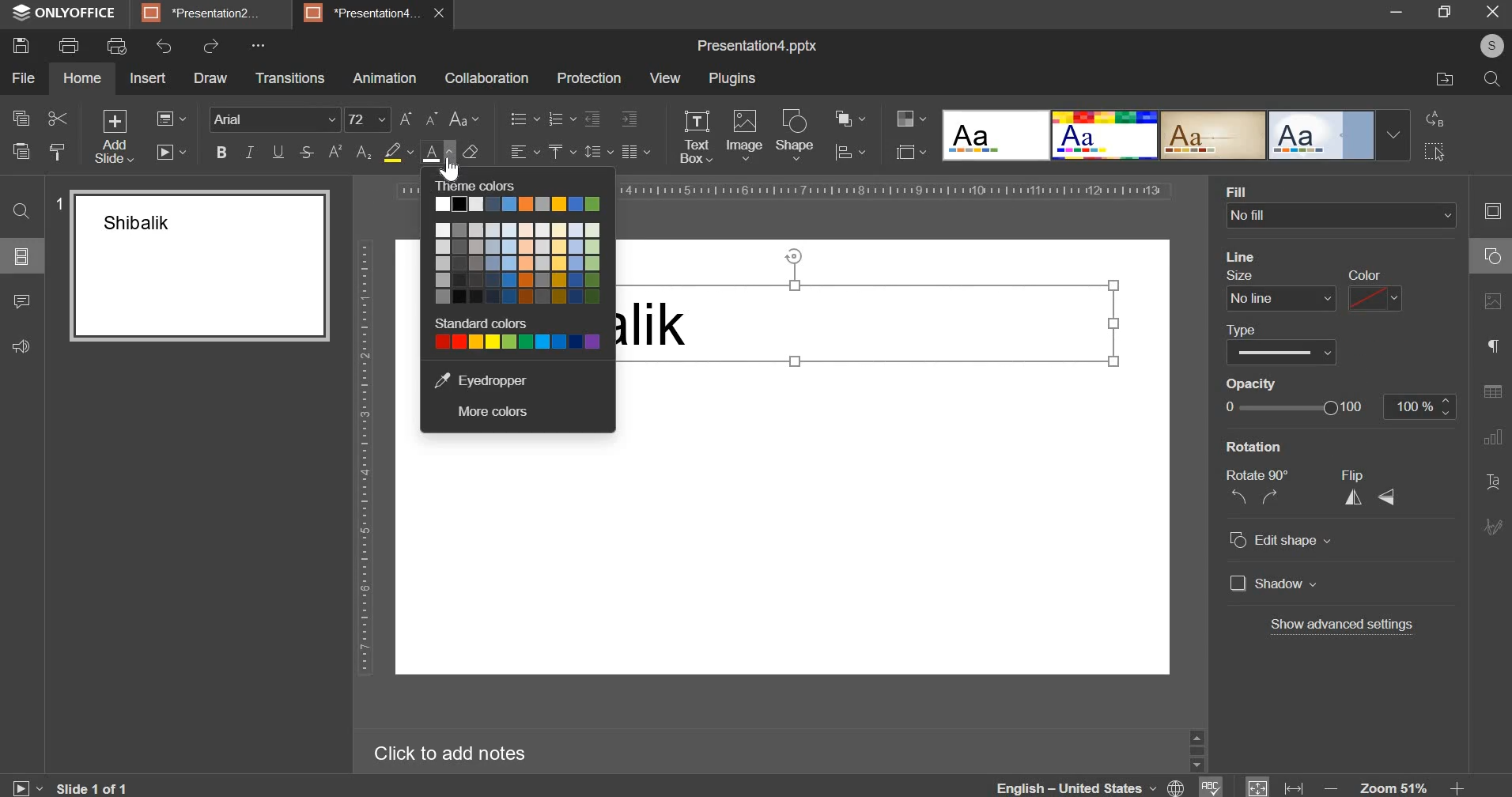 This screenshot has width=1512, height=797. Describe the element at coordinates (1340, 625) in the screenshot. I see `show advanced settings` at that location.